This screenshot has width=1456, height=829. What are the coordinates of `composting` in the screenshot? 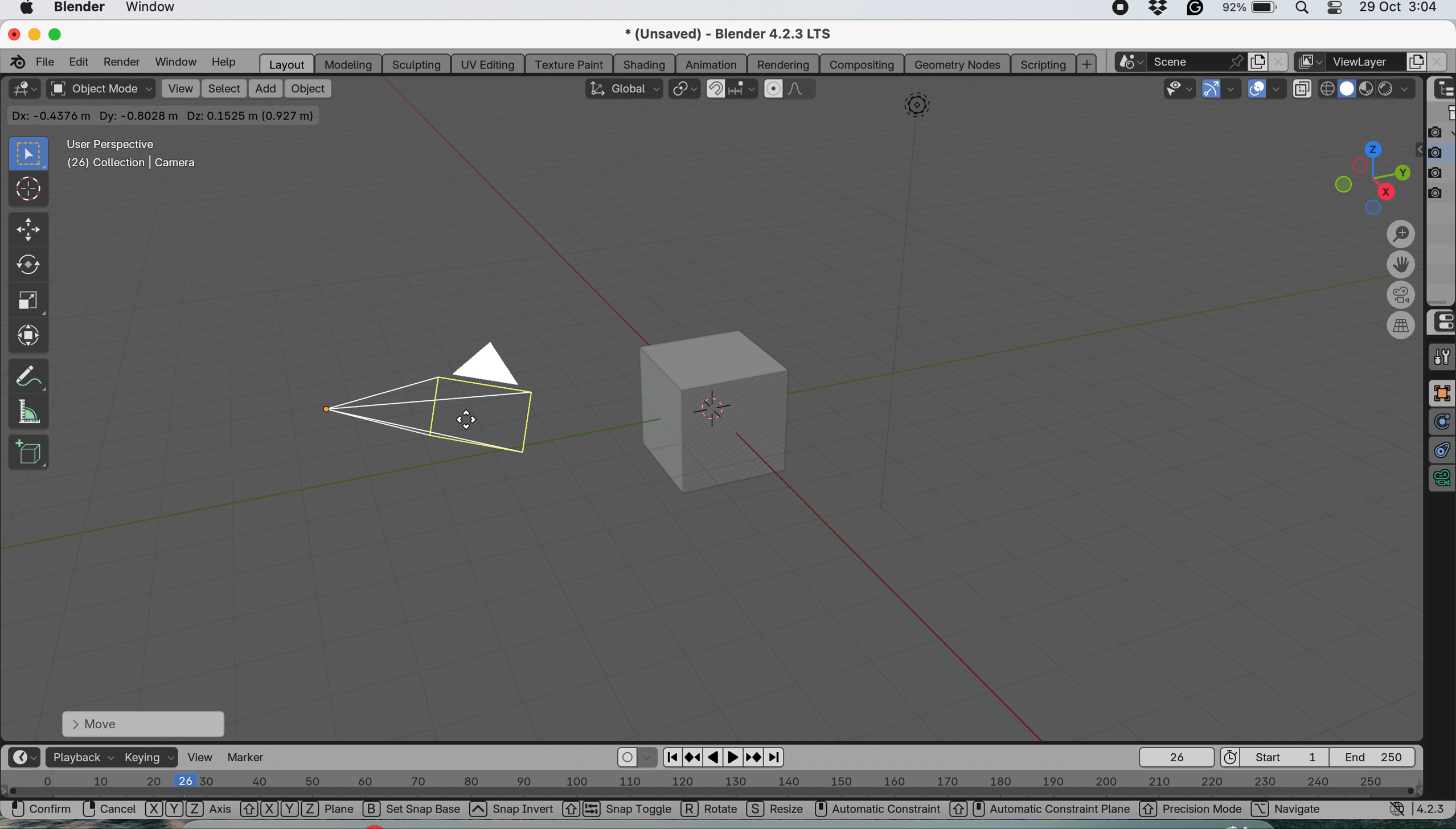 It's located at (864, 64).